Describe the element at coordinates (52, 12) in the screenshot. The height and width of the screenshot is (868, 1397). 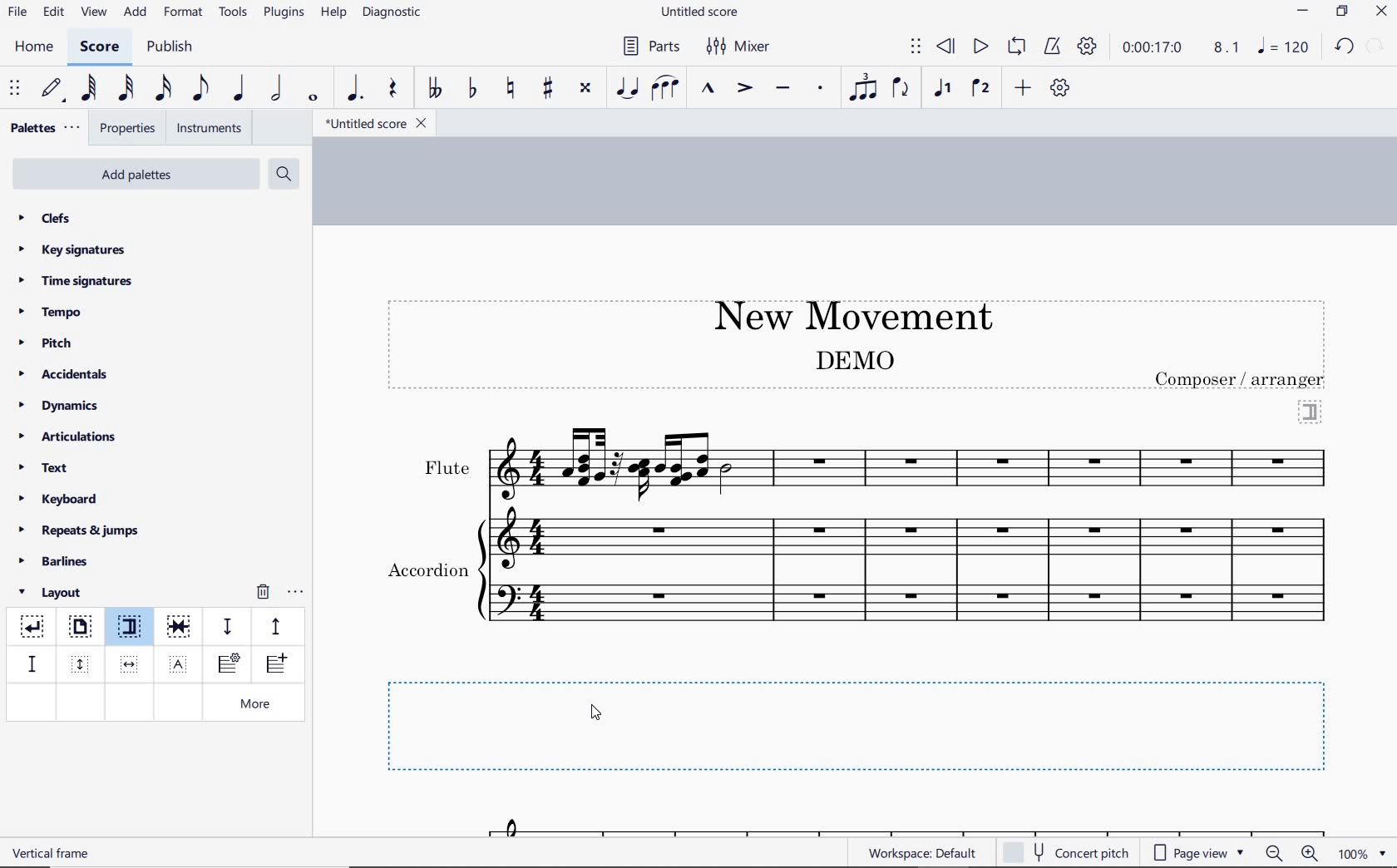
I see `edit` at that location.